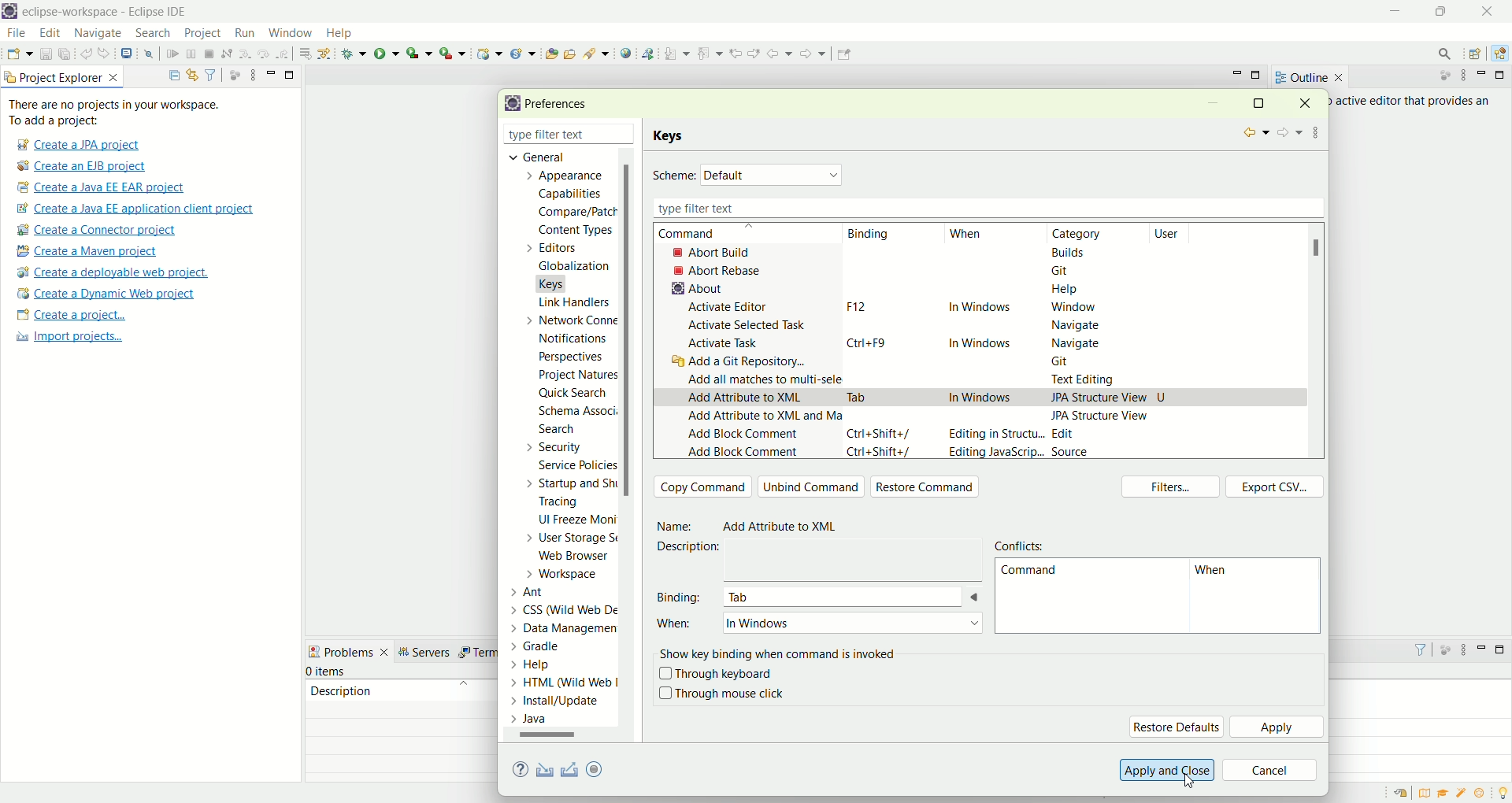  I want to click on In Windows, so click(851, 624).